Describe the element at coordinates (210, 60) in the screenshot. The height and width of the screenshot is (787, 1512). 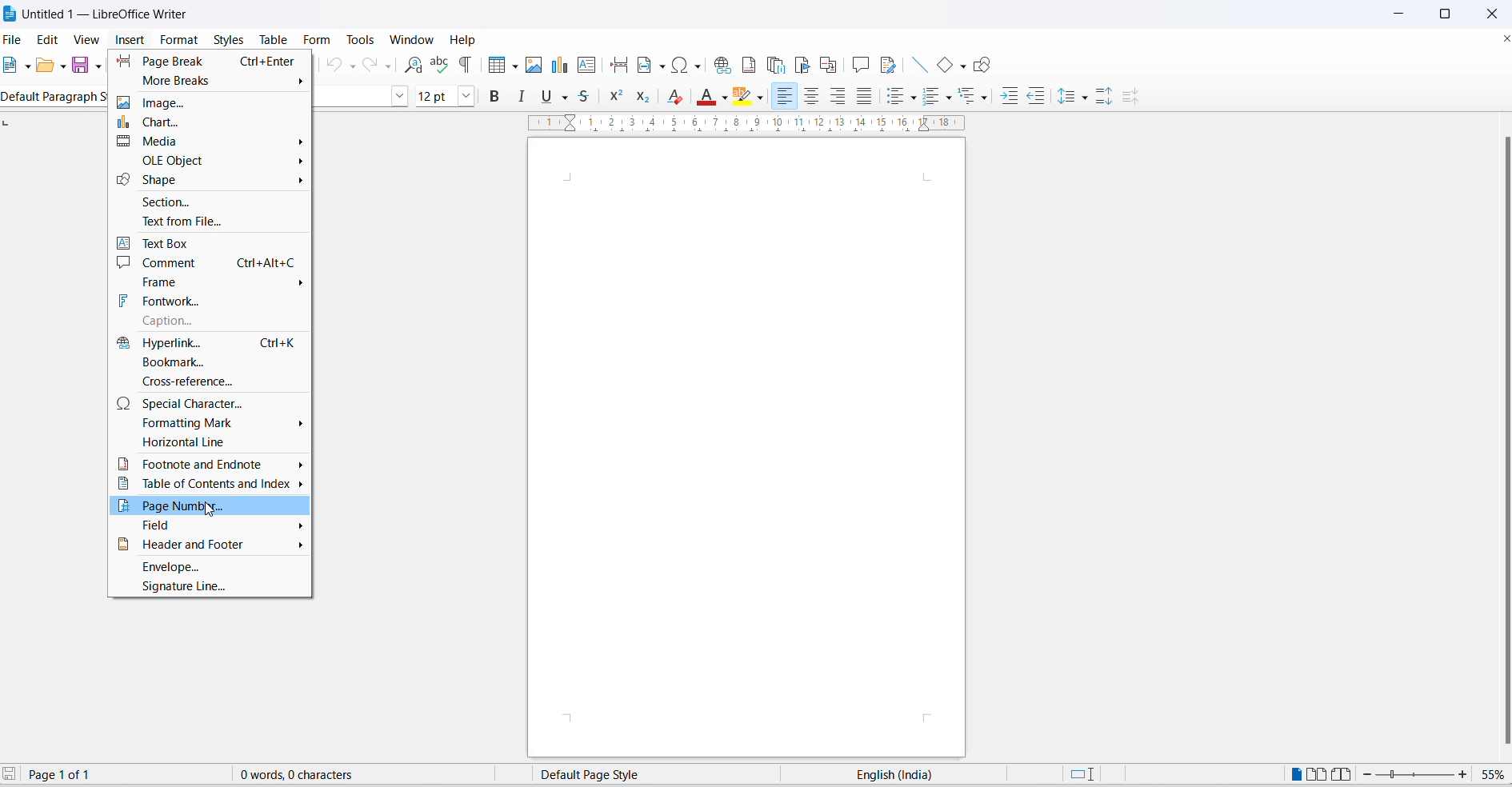
I see `page break` at that location.